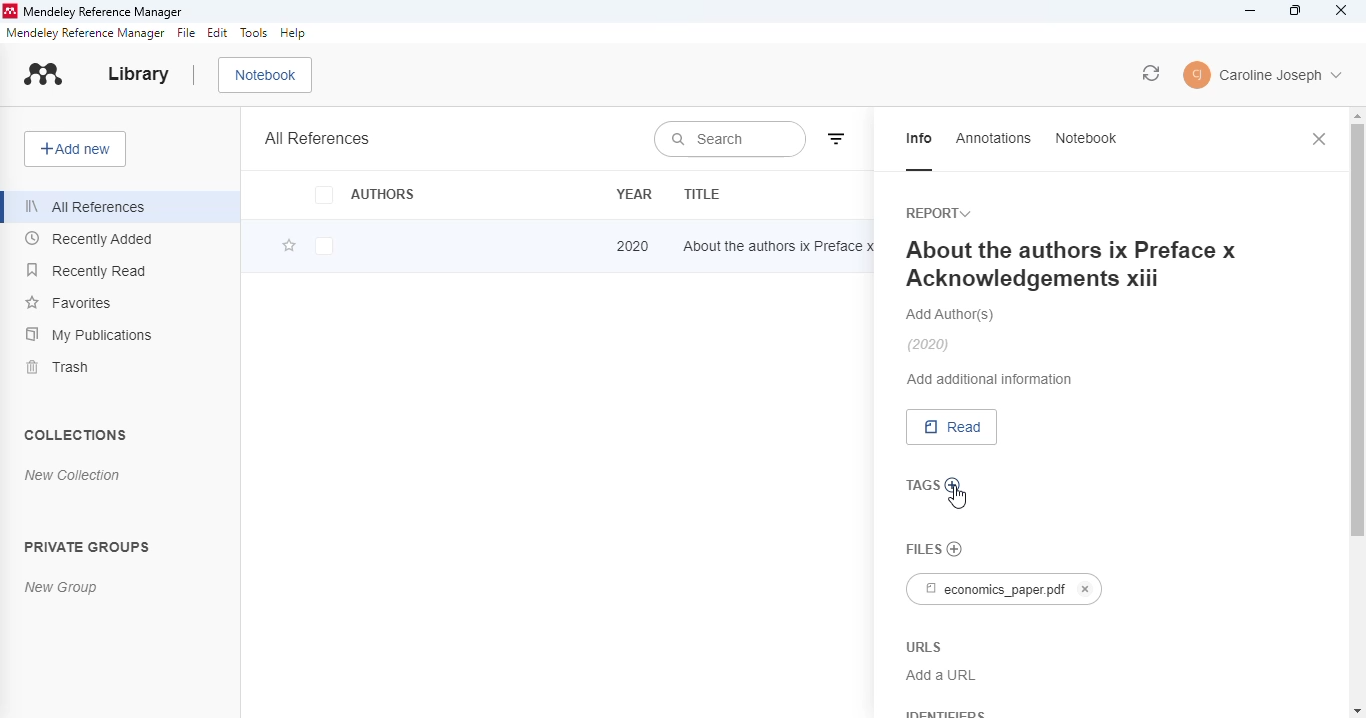 This screenshot has height=718, width=1366. Describe the element at coordinates (292, 33) in the screenshot. I see `help` at that location.